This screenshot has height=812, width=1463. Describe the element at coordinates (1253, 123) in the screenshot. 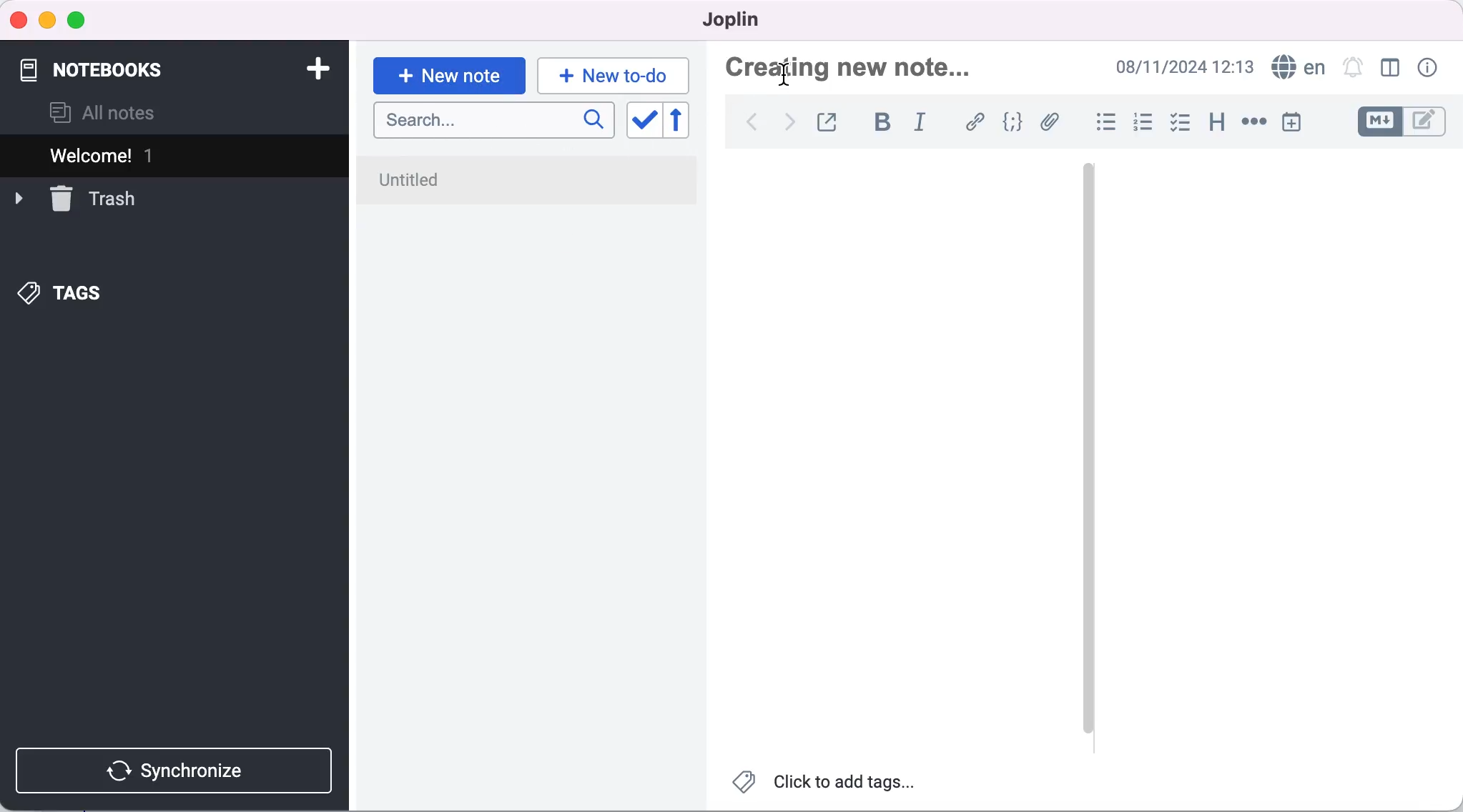

I see `horizontal rule` at that location.